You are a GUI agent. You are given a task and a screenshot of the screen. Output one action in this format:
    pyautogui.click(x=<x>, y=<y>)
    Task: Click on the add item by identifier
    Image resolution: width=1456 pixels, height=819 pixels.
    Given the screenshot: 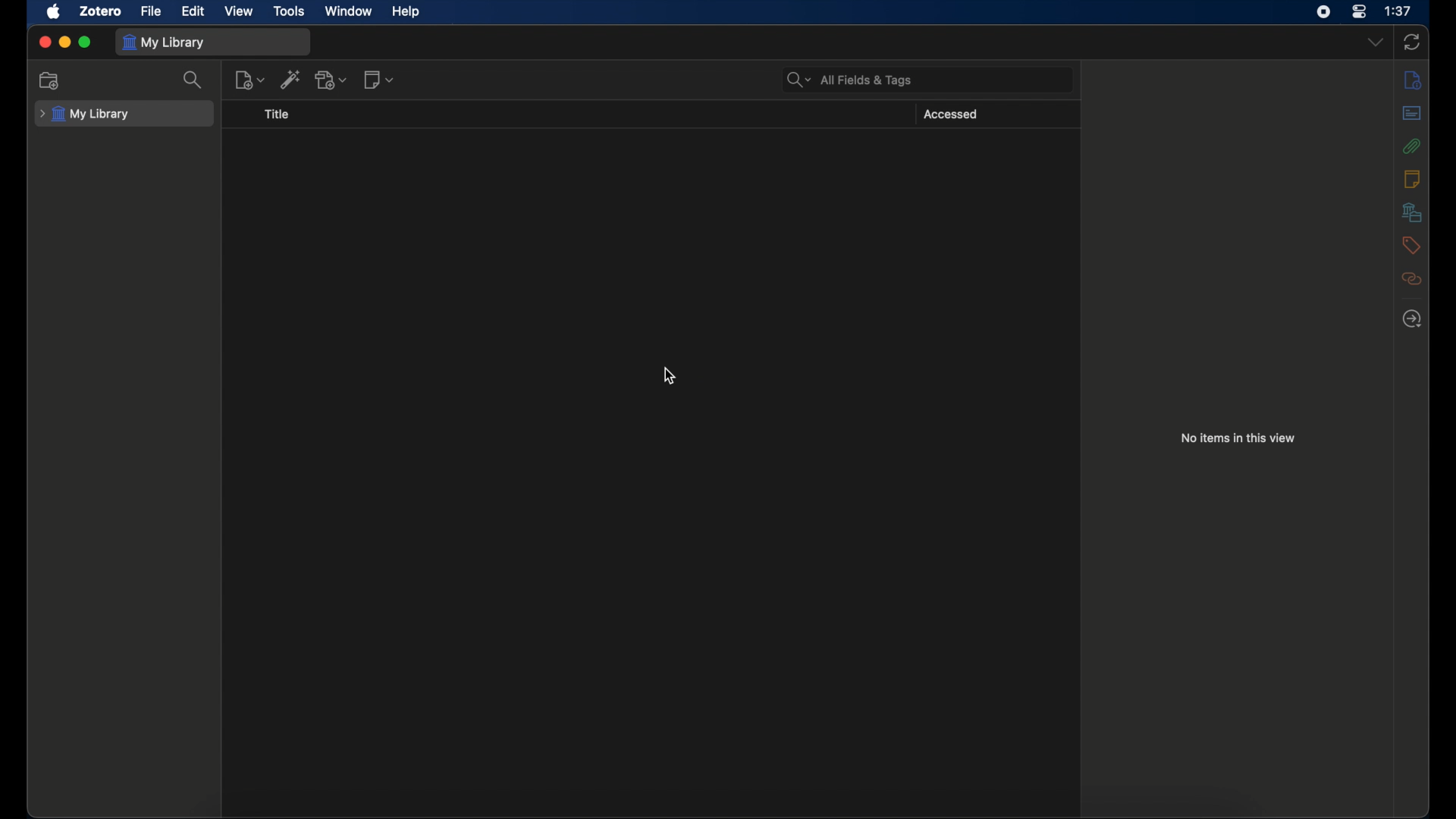 What is the action you would take?
    pyautogui.click(x=291, y=83)
    